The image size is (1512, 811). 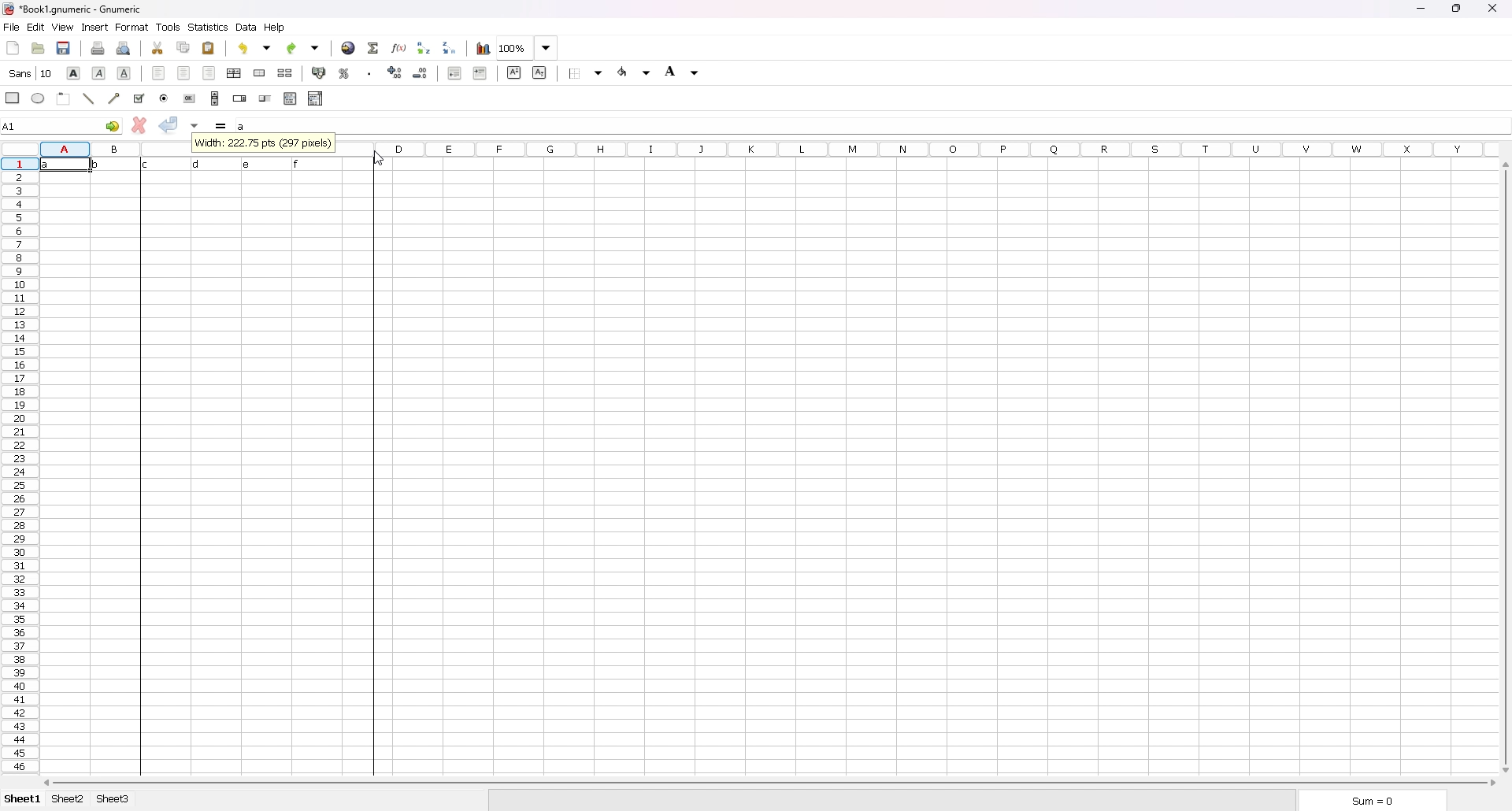 I want to click on hyperlink, so click(x=348, y=48).